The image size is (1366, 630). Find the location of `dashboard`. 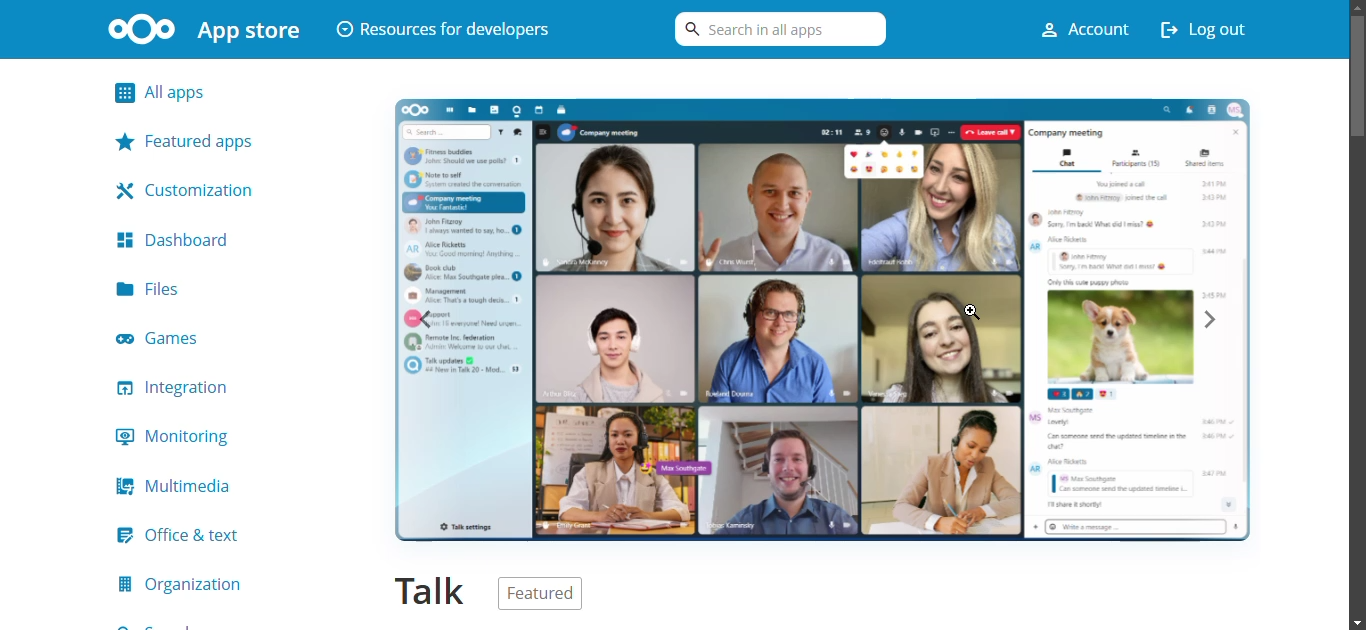

dashboard is located at coordinates (177, 239).